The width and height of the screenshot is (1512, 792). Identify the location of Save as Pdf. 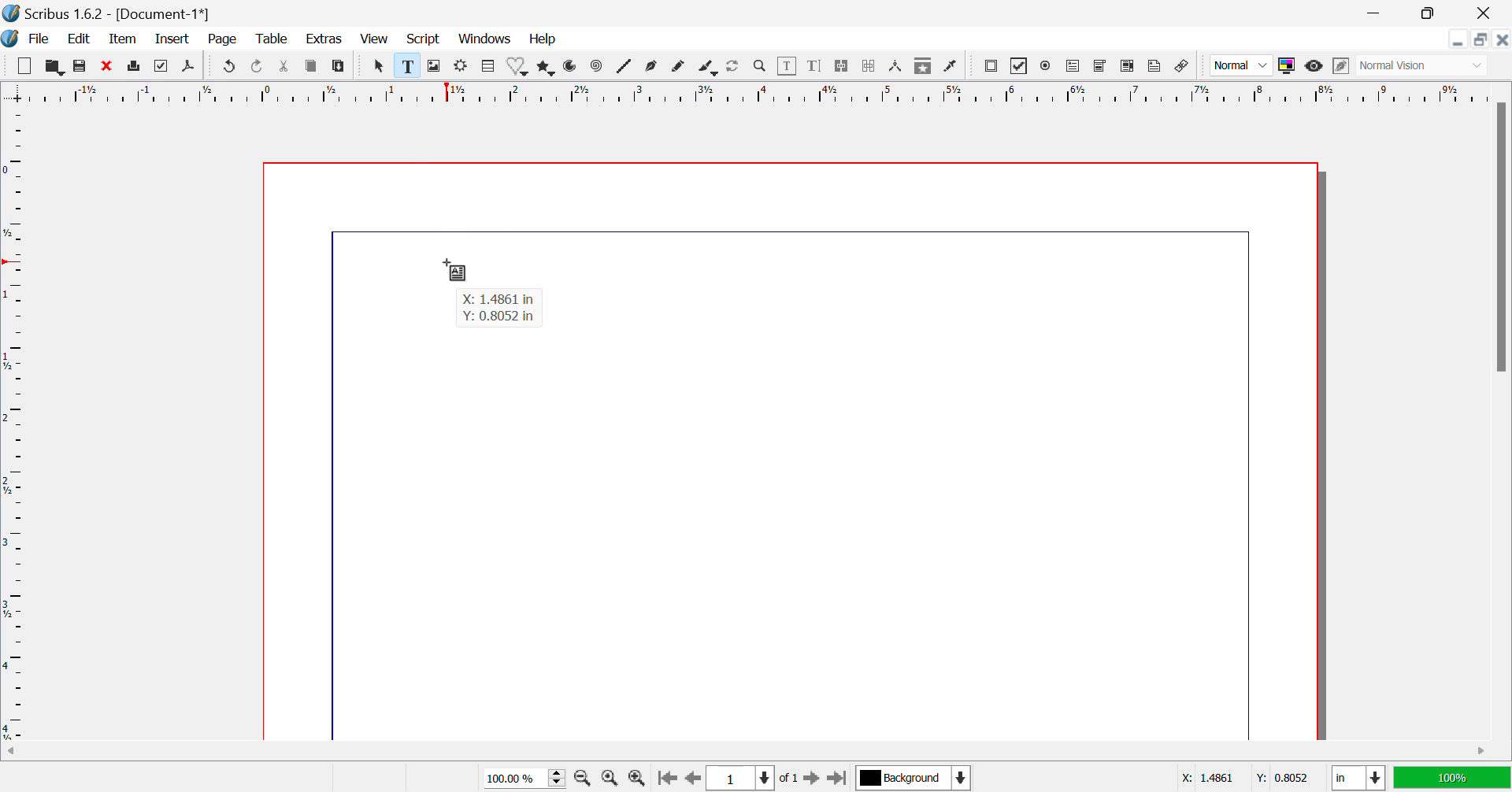
(192, 67).